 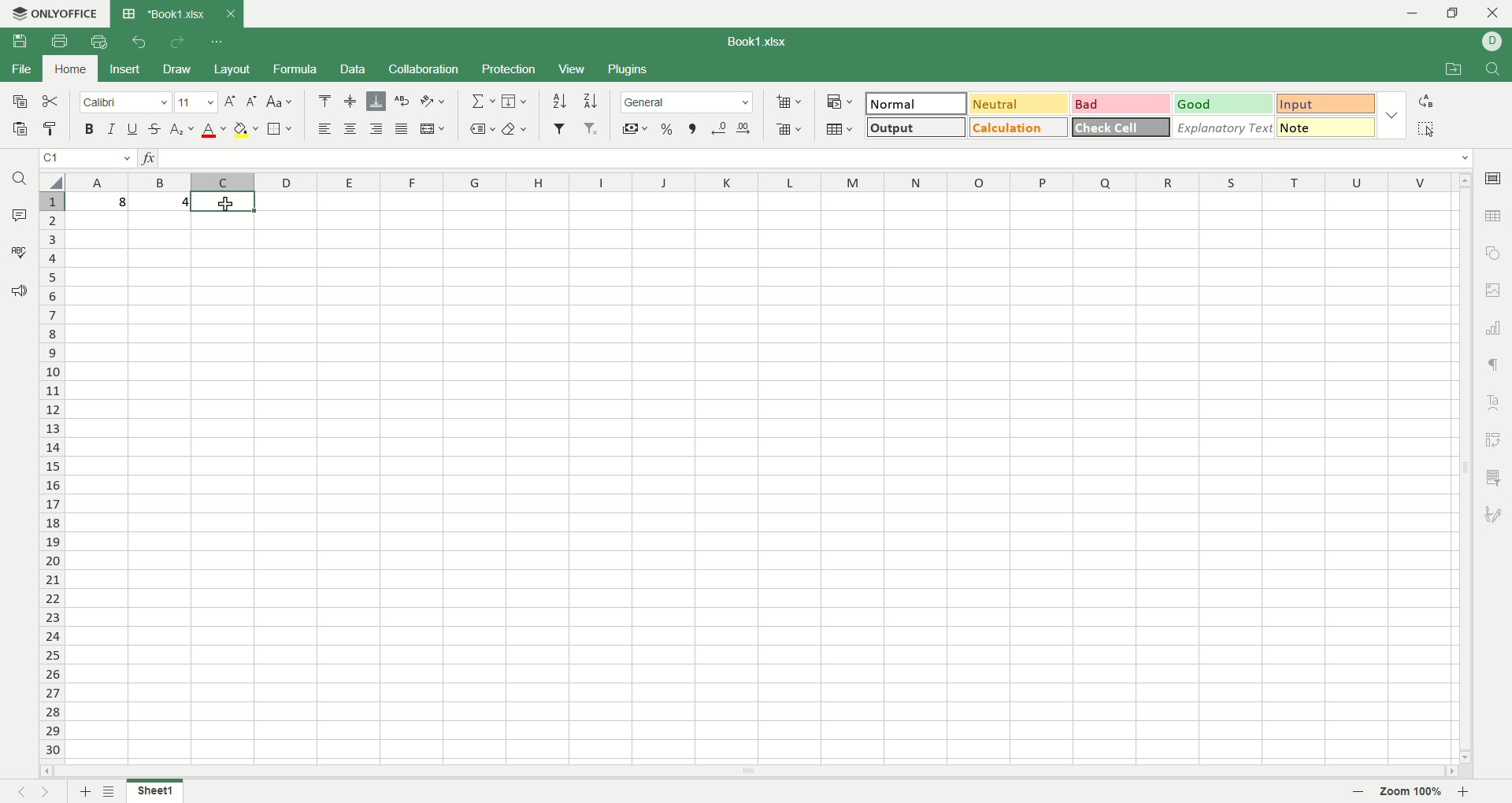 What do you see at coordinates (183, 130) in the screenshot?
I see `subscript` at bounding box center [183, 130].